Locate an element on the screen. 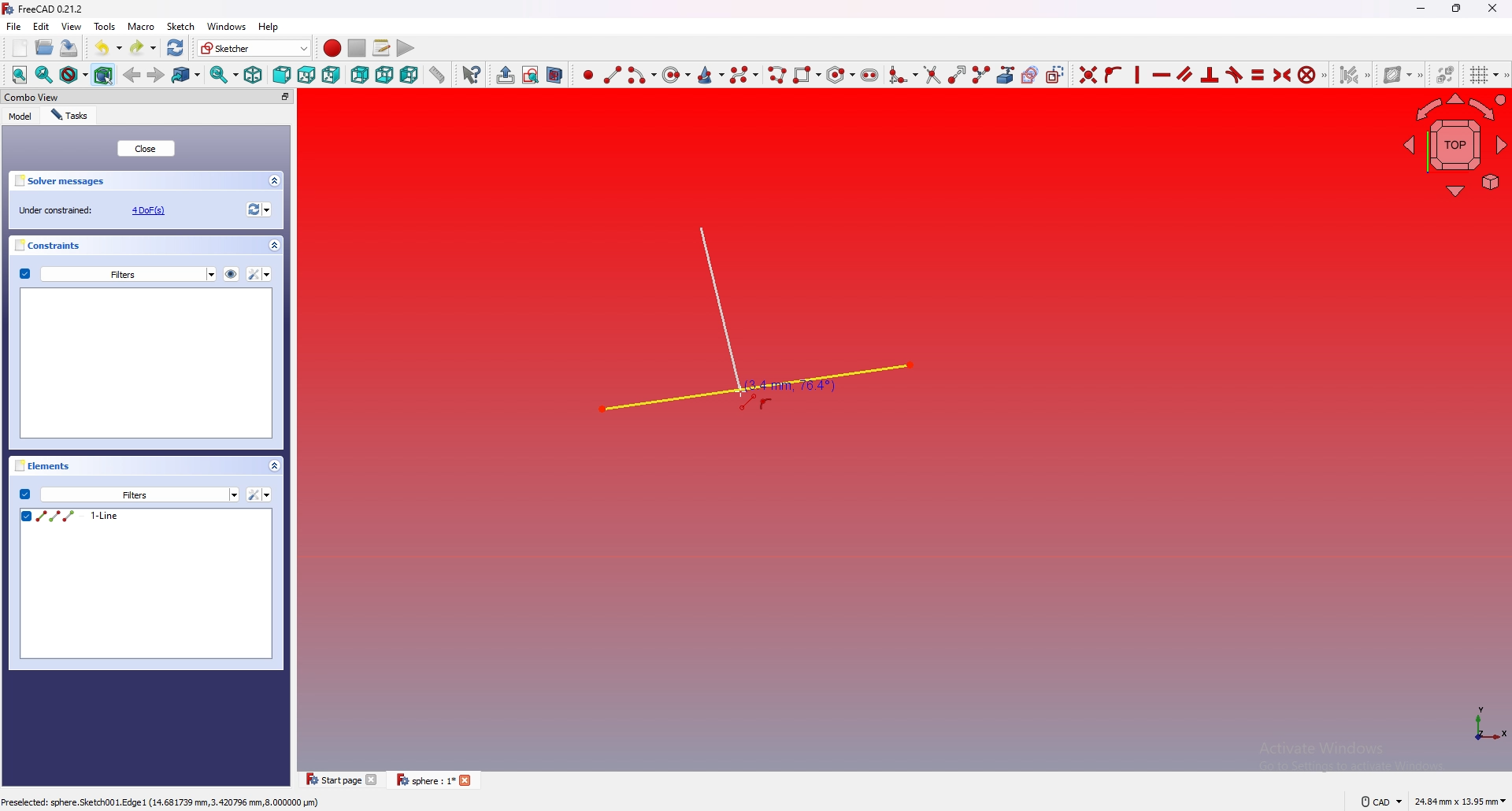 Image resolution: width=1512 pixels, height=811 pixels. Check is located at coordinates (24, 494).